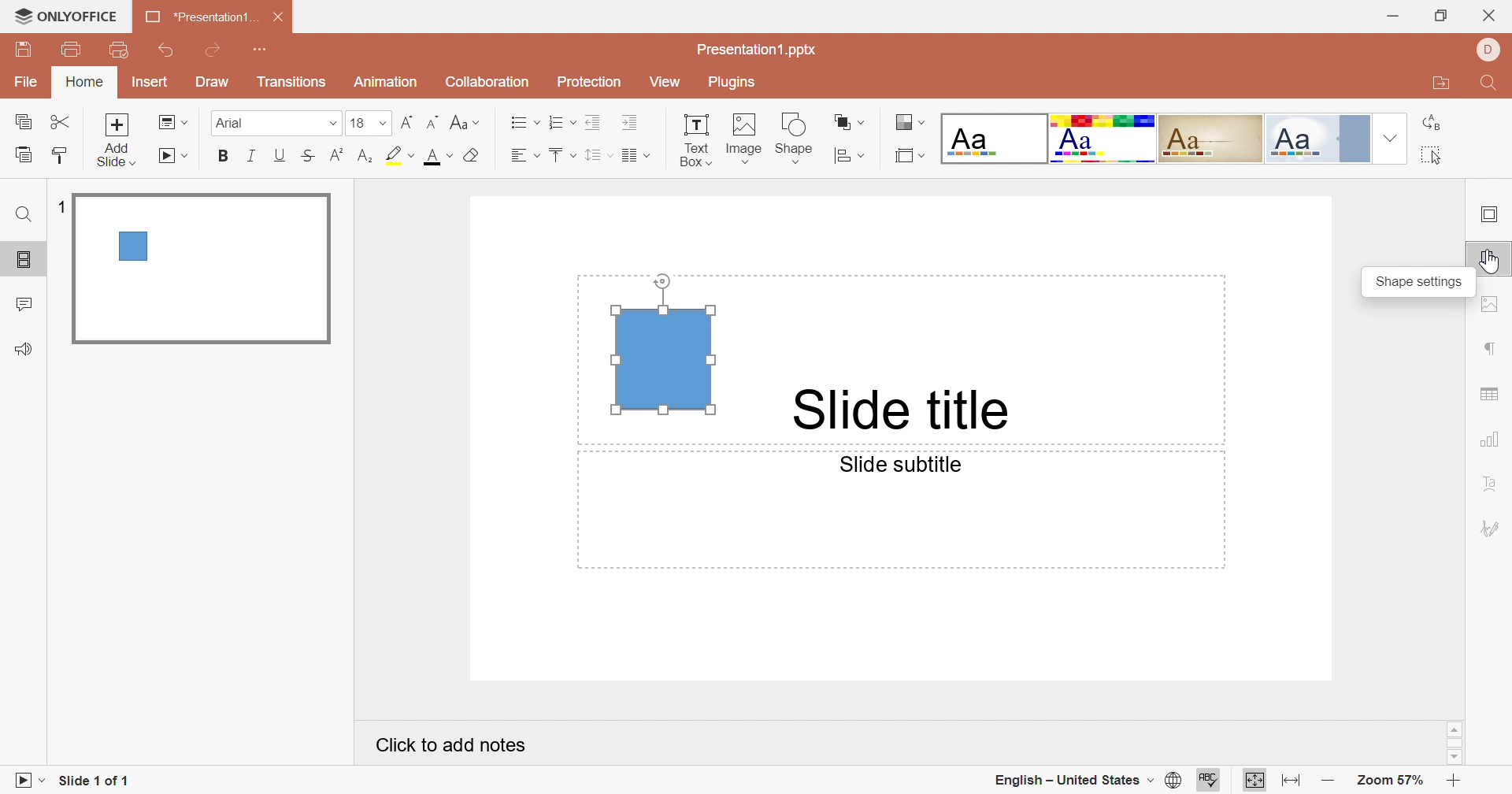 Image resolution: width=1512 pixels, height=794 pixels. What do you see at coordinates (1495, 484) in the screenshot?
I see `Text Art settings` at bounding box center [1495, 484].